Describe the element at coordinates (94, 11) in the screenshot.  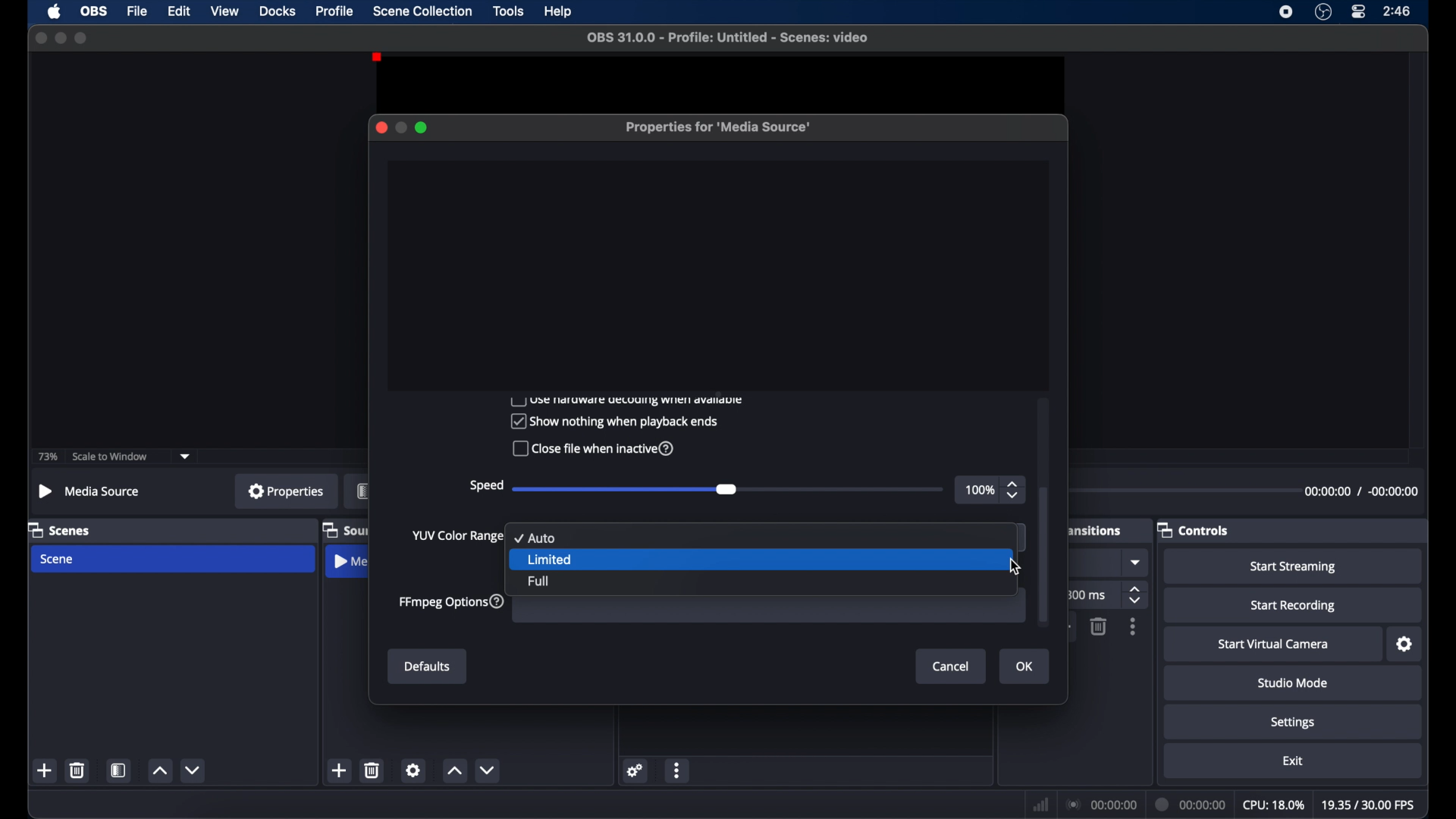
I see `obs` at that location.